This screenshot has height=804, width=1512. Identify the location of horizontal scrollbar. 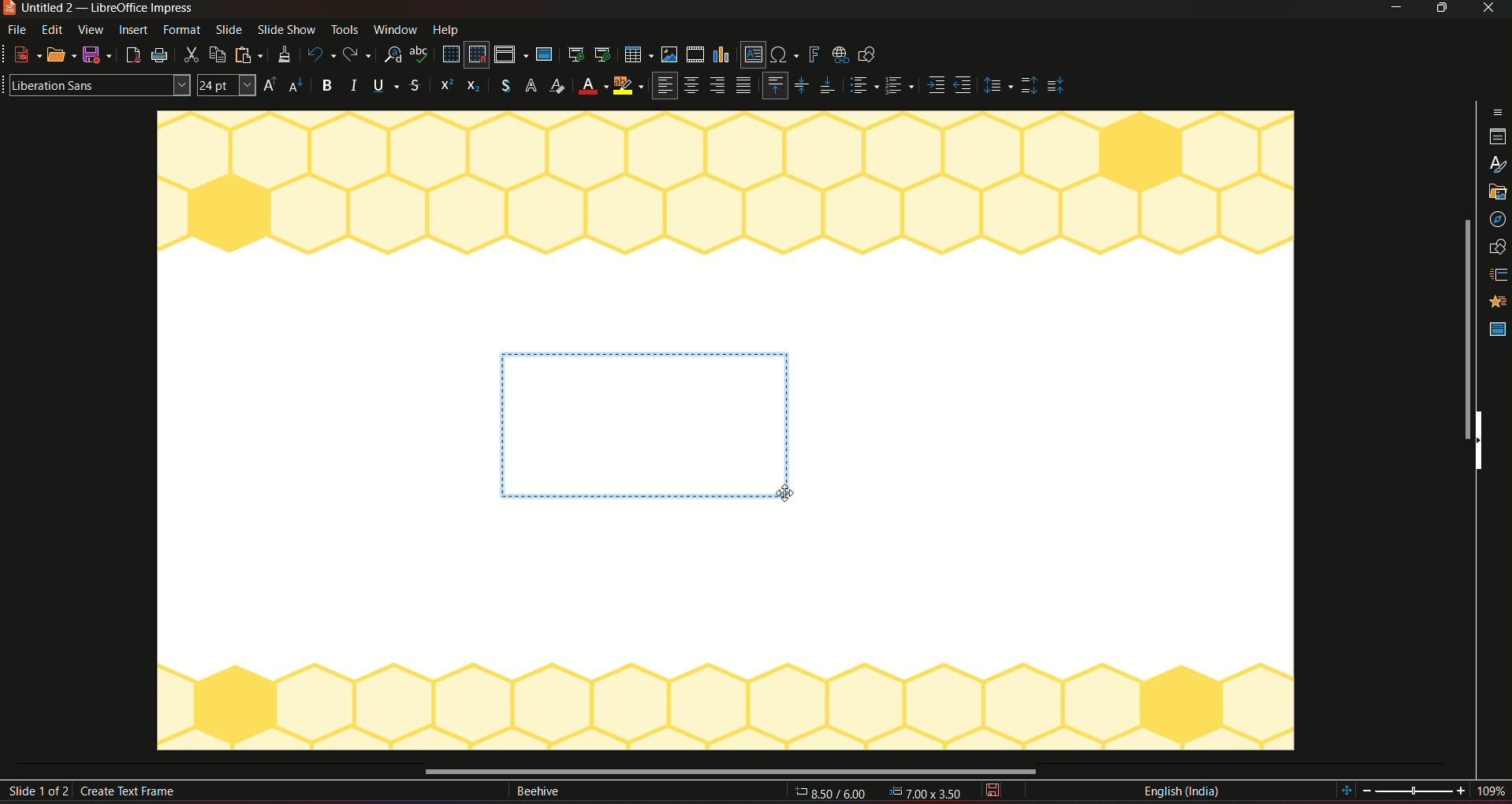
(736, 771).